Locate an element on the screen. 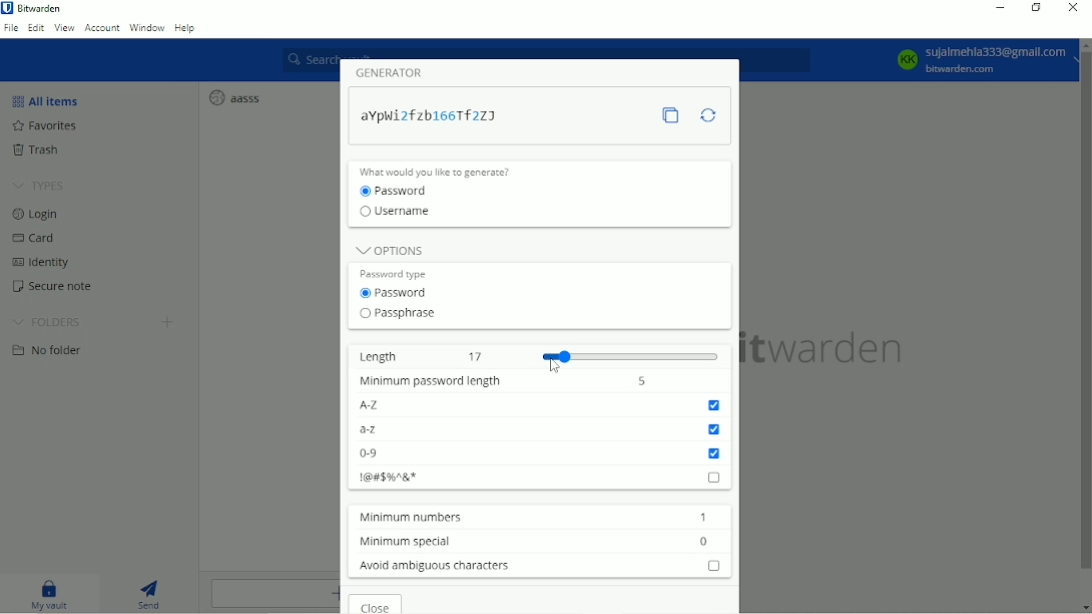  Minimum special is located at coordinates (401, 540).